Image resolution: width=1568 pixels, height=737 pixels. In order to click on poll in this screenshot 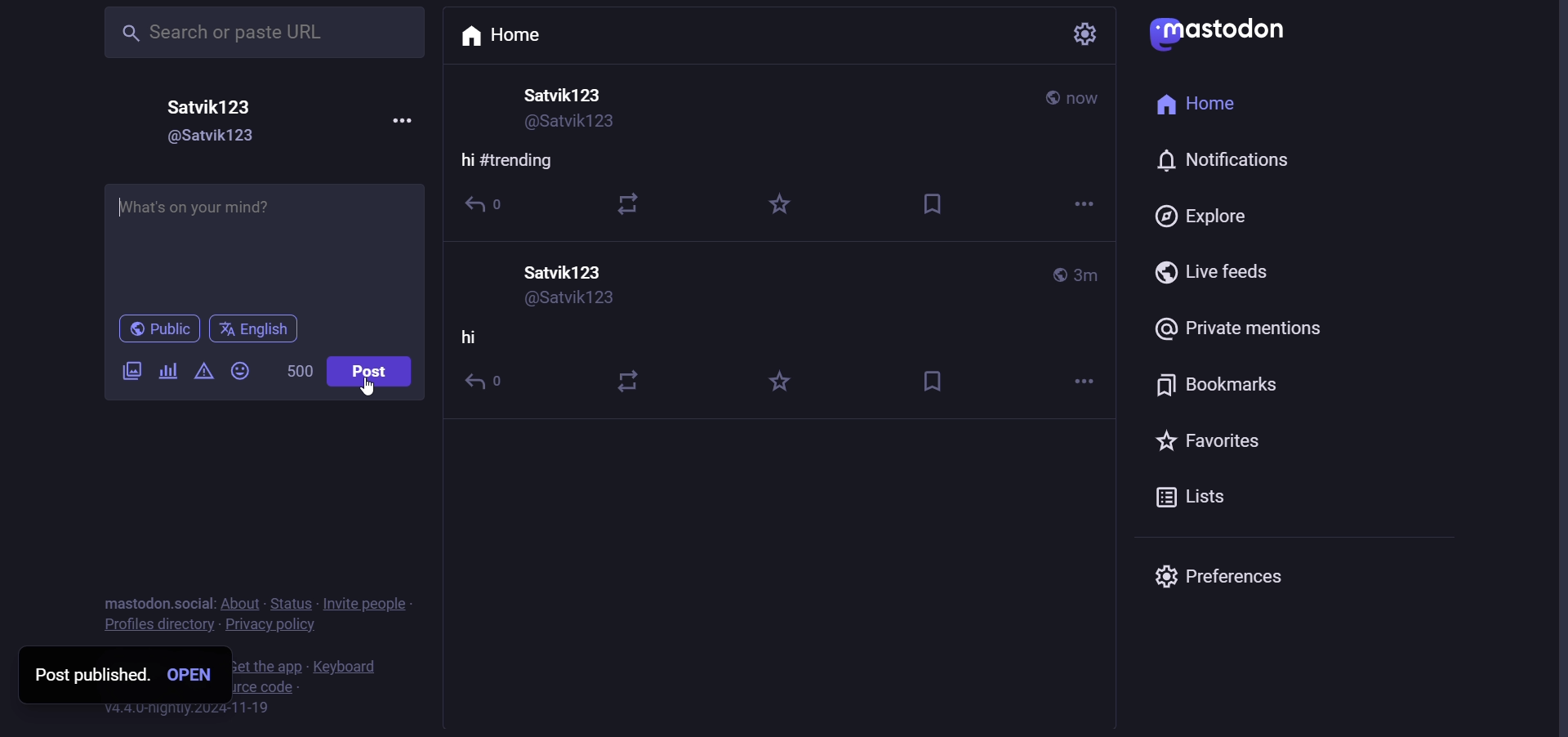, I will do `click(165, 370)`.